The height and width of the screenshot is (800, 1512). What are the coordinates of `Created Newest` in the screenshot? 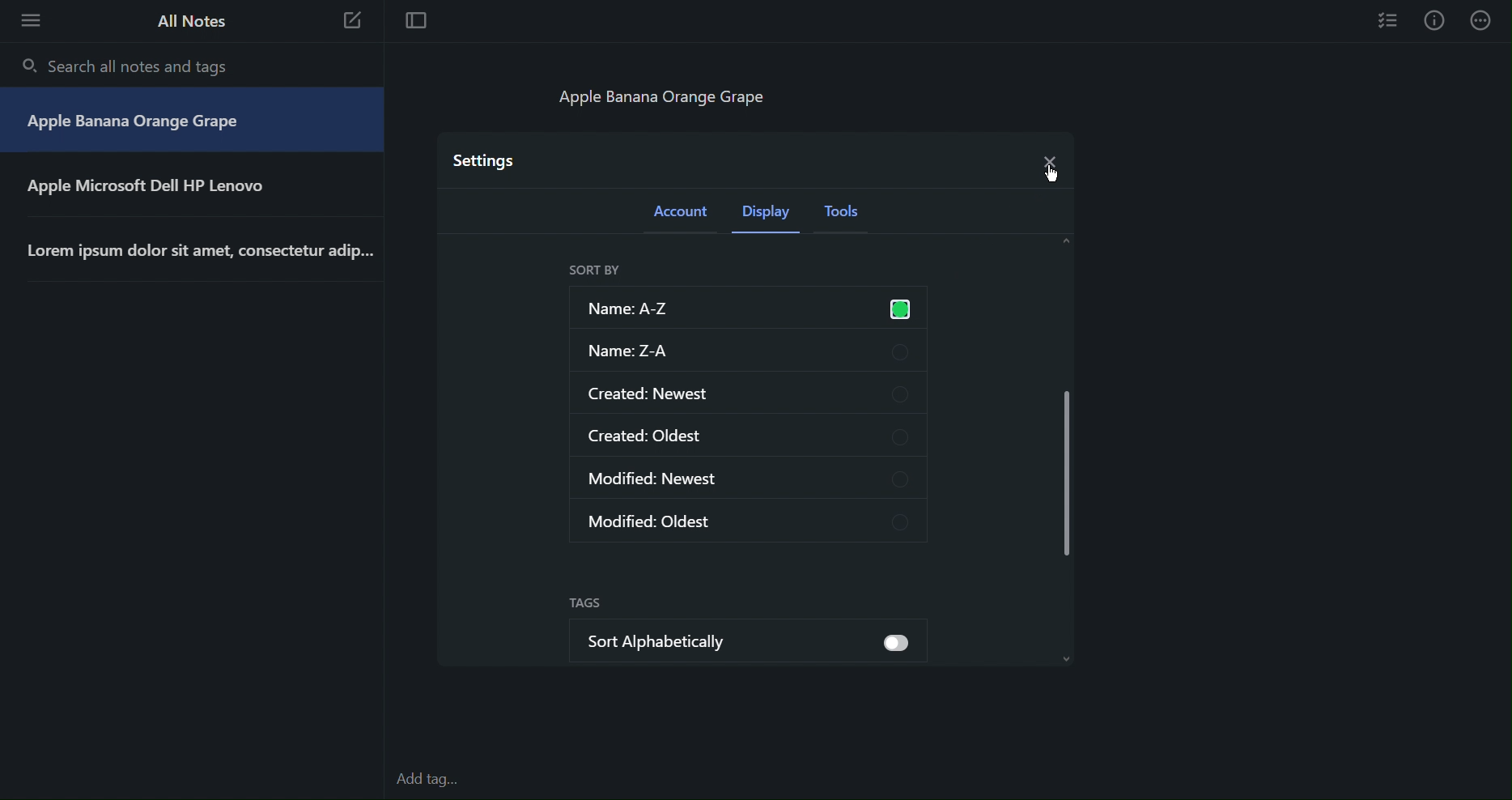 It's located at (747, 391).